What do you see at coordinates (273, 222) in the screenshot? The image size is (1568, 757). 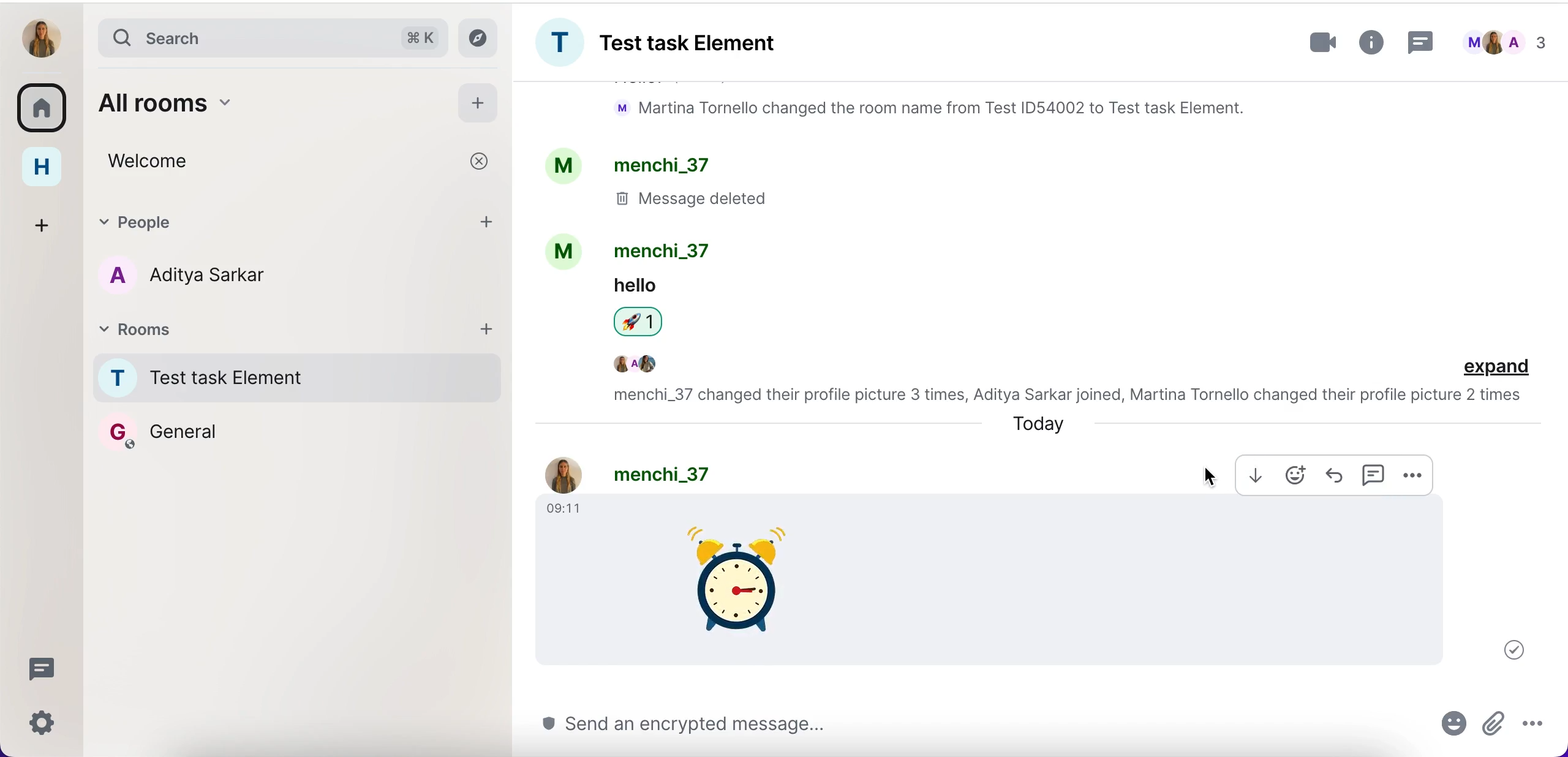 I see `people` at bounding box center [273, 222].